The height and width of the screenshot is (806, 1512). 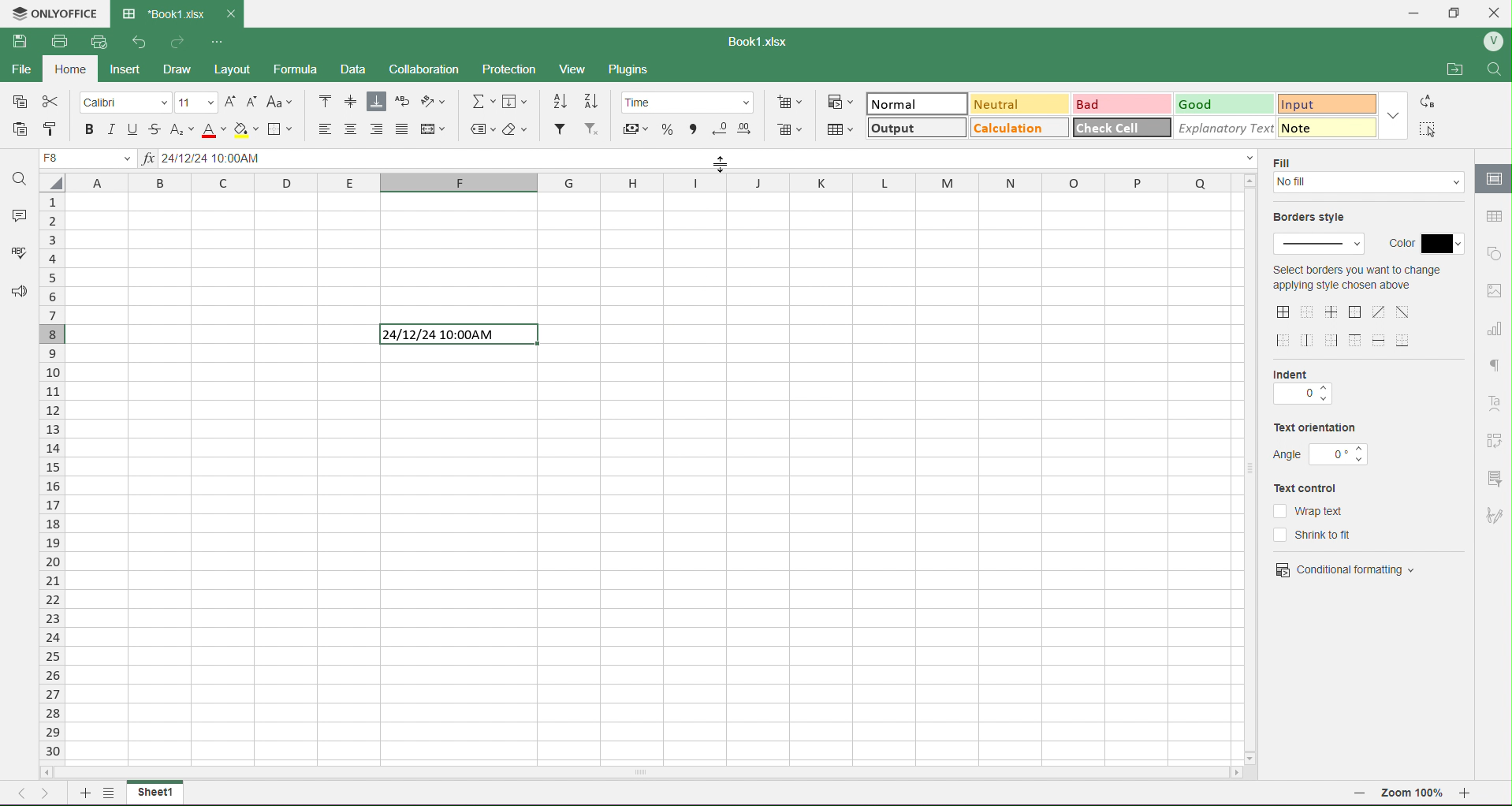 What do you see at coordinates (181, 129) in the screenshot?
I see `Subscript/Superscript` at bounding box center [181, 129].